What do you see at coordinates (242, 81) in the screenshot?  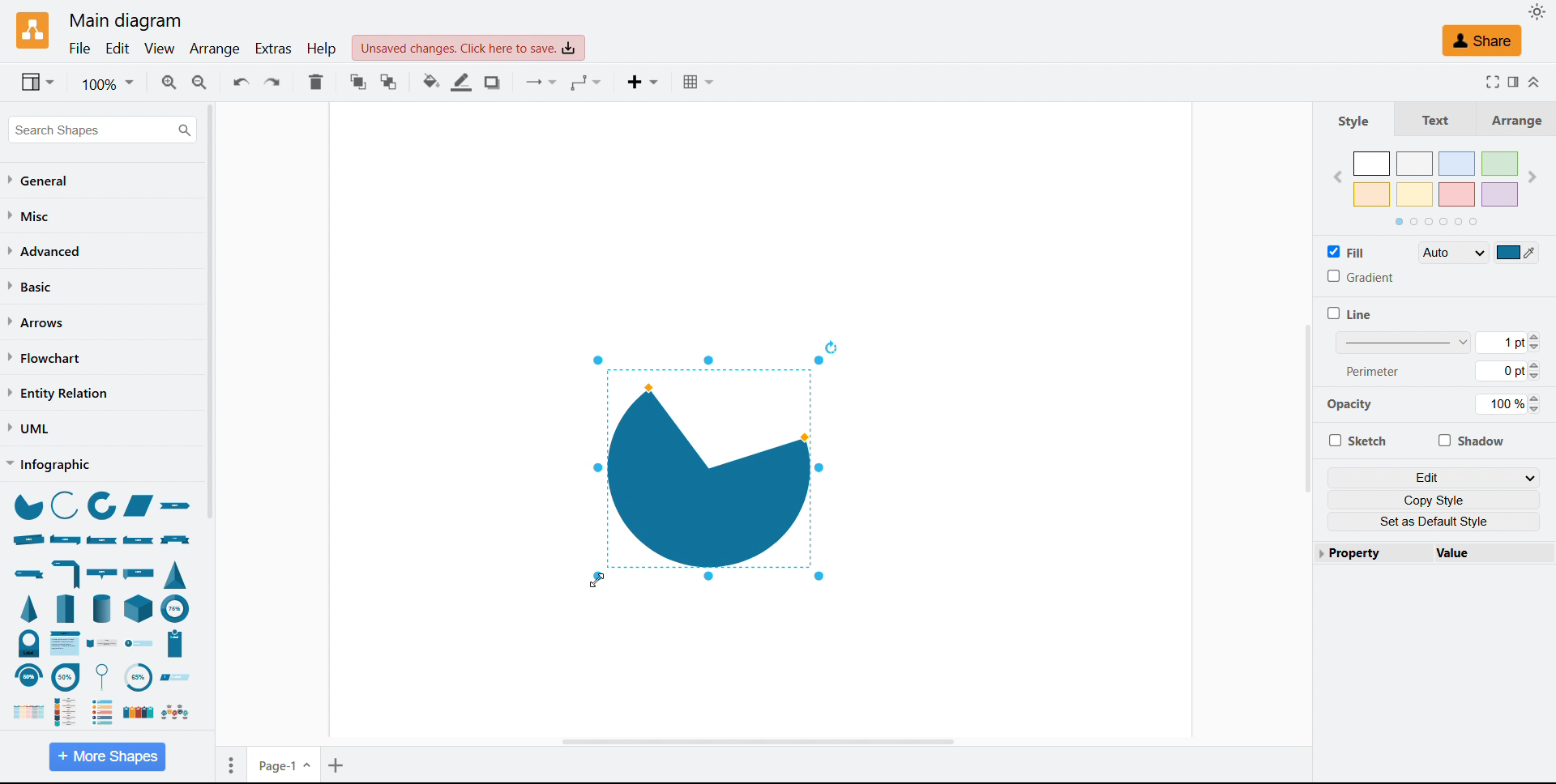 I see `Undo ` at bounding box center [242, 81].